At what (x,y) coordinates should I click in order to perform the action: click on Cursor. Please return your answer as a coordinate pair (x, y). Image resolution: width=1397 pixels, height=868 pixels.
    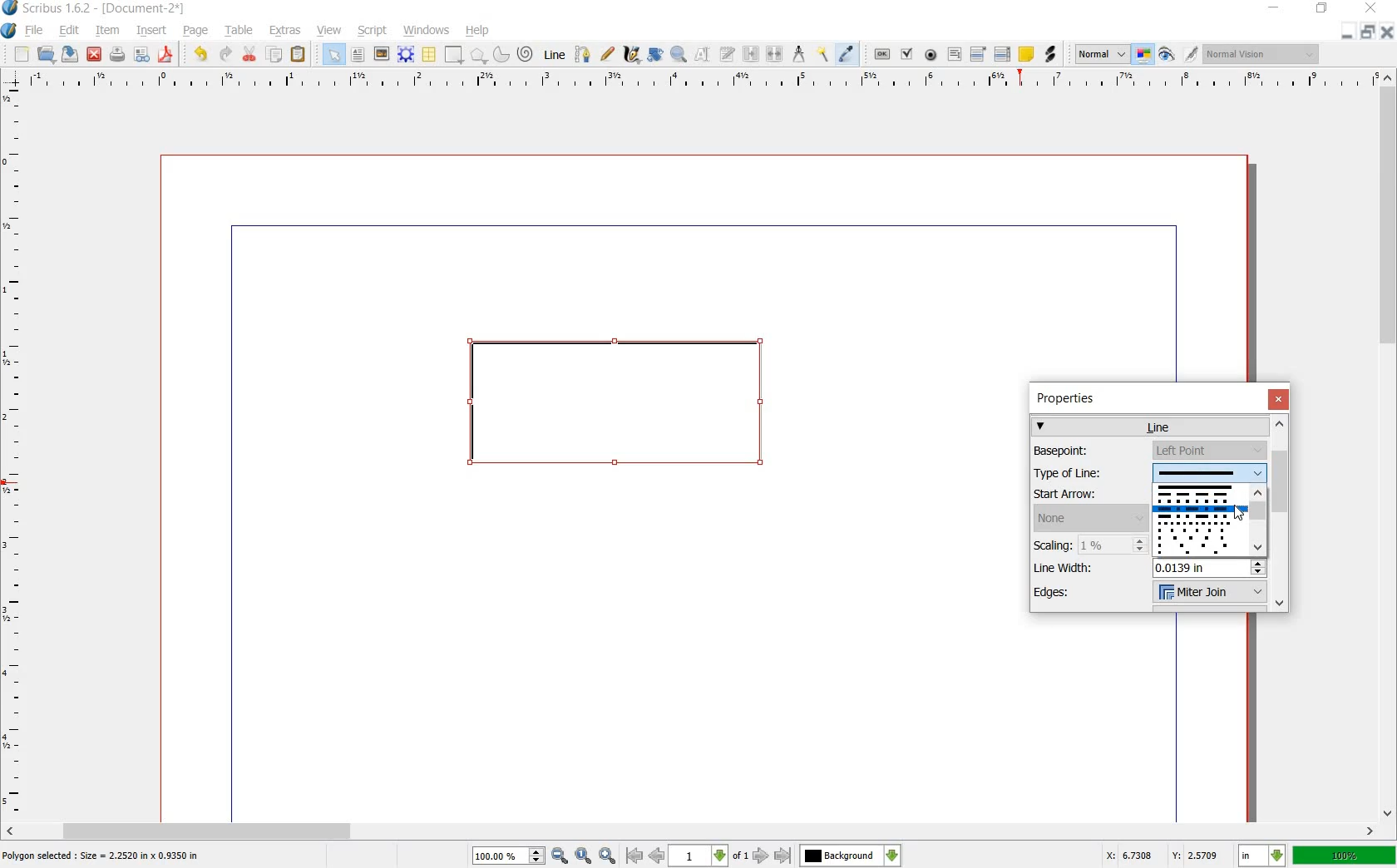
    Looking at the image, I should click on (1240, 514).